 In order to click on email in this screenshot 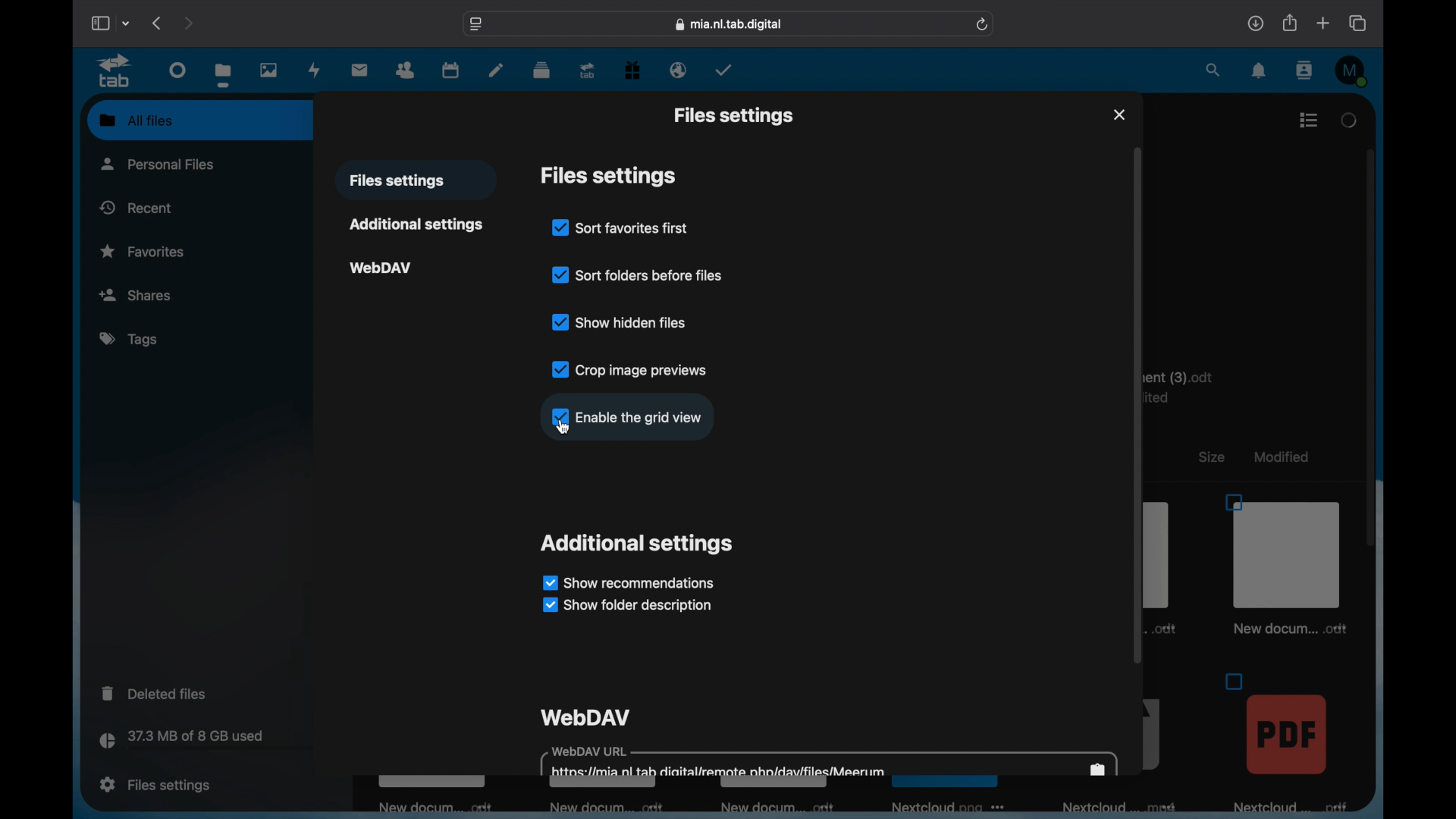, I will do `click(678, 71)`.